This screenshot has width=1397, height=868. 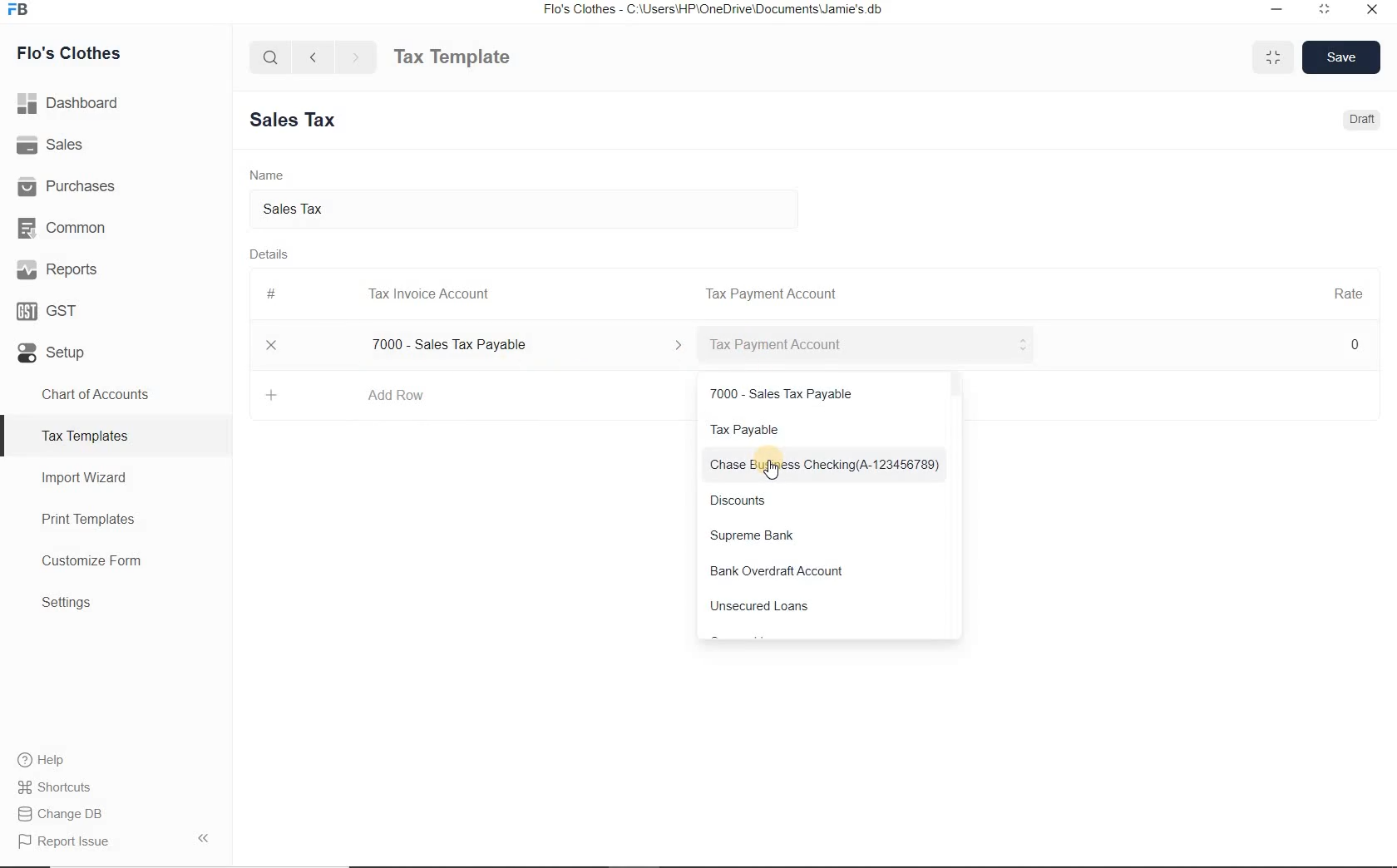 What do you see at coordinates (1277, 11) in the screenshot?
I see `Minimize` at bounding box center [1277, 11].